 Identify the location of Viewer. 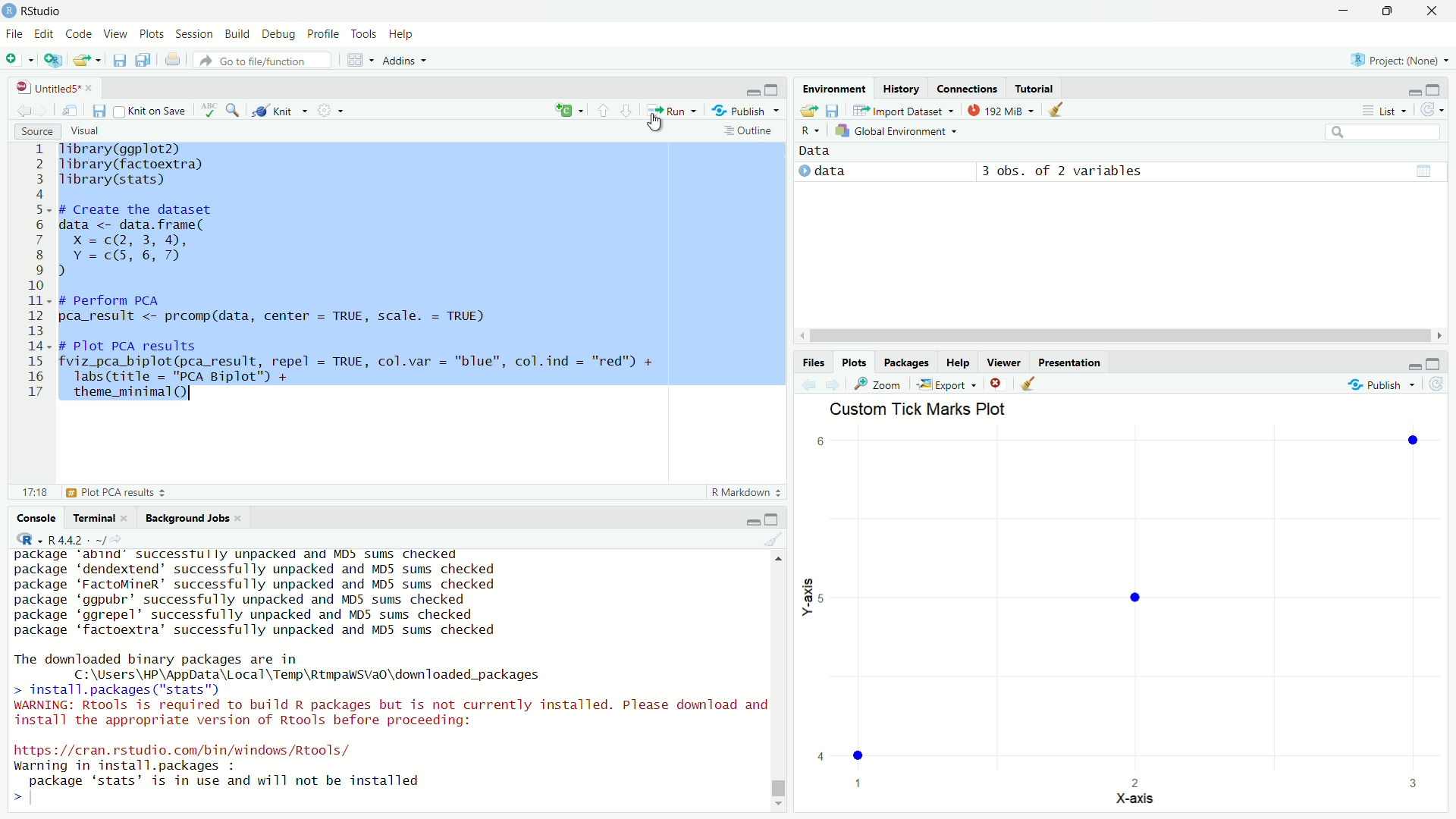
(1005, 362).